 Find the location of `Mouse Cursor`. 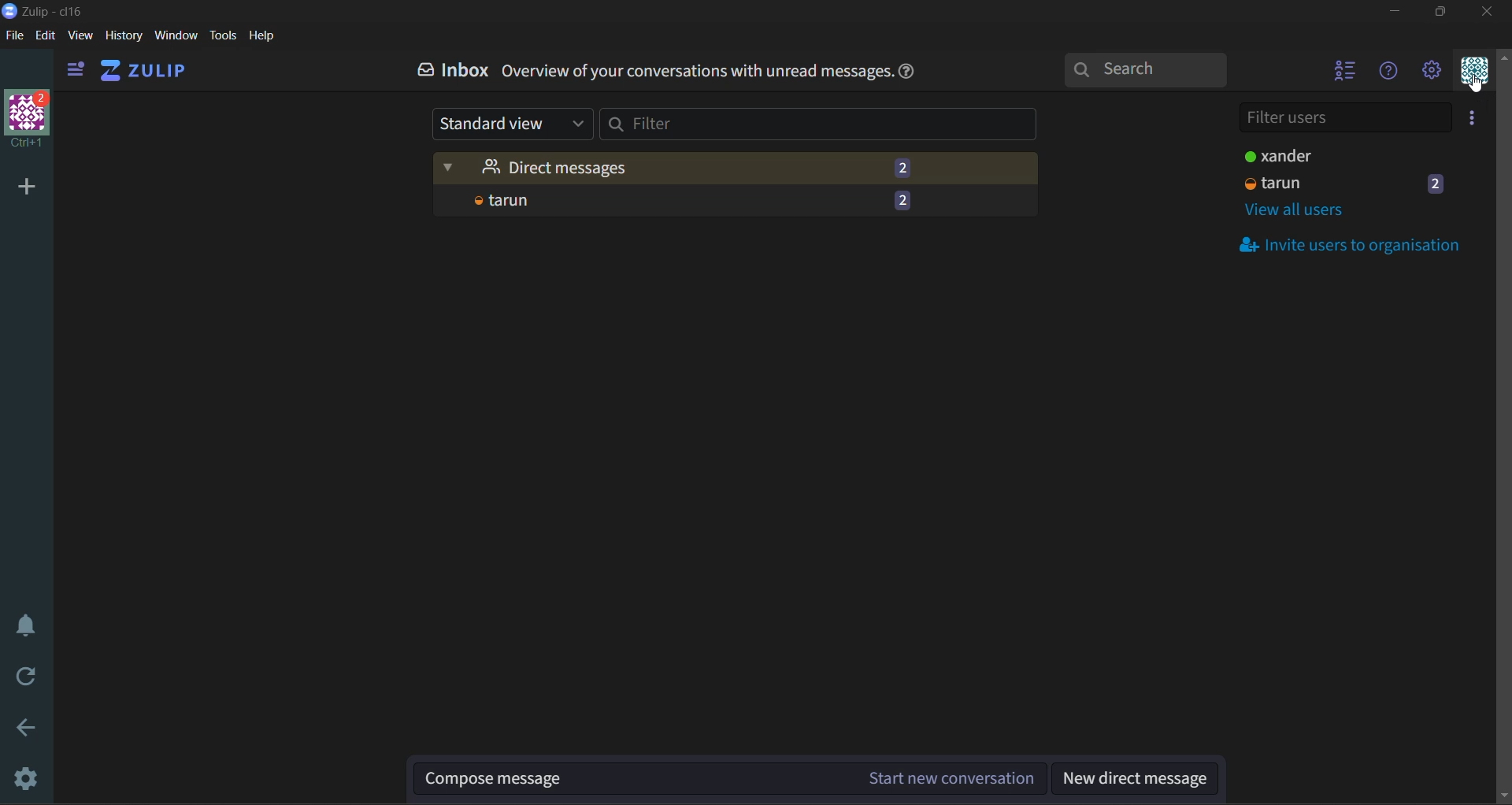

Mouse Cursor is located at coordinates (1473, 87).